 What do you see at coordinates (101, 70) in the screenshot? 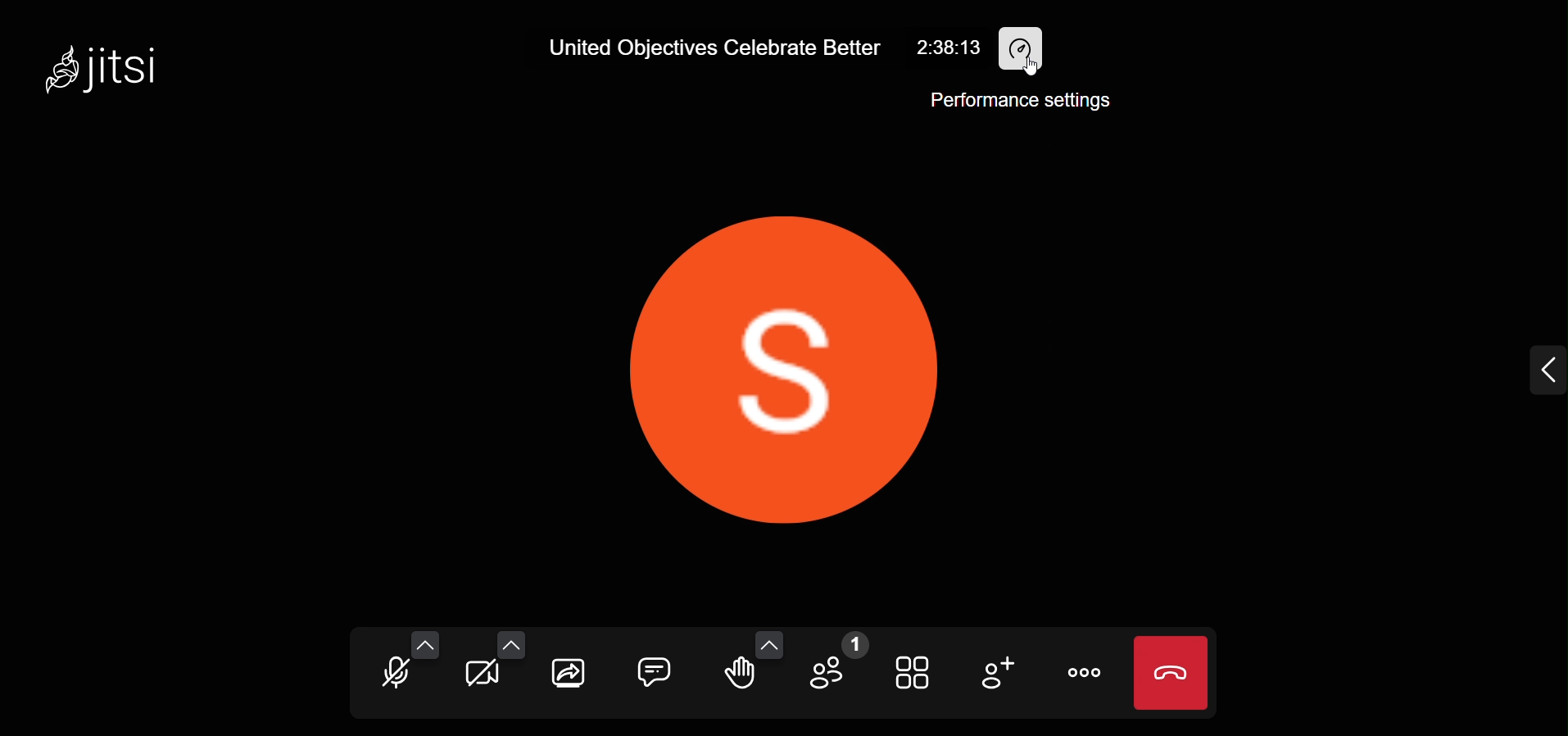
I see `jitsi` at bounding box center [101, 70].